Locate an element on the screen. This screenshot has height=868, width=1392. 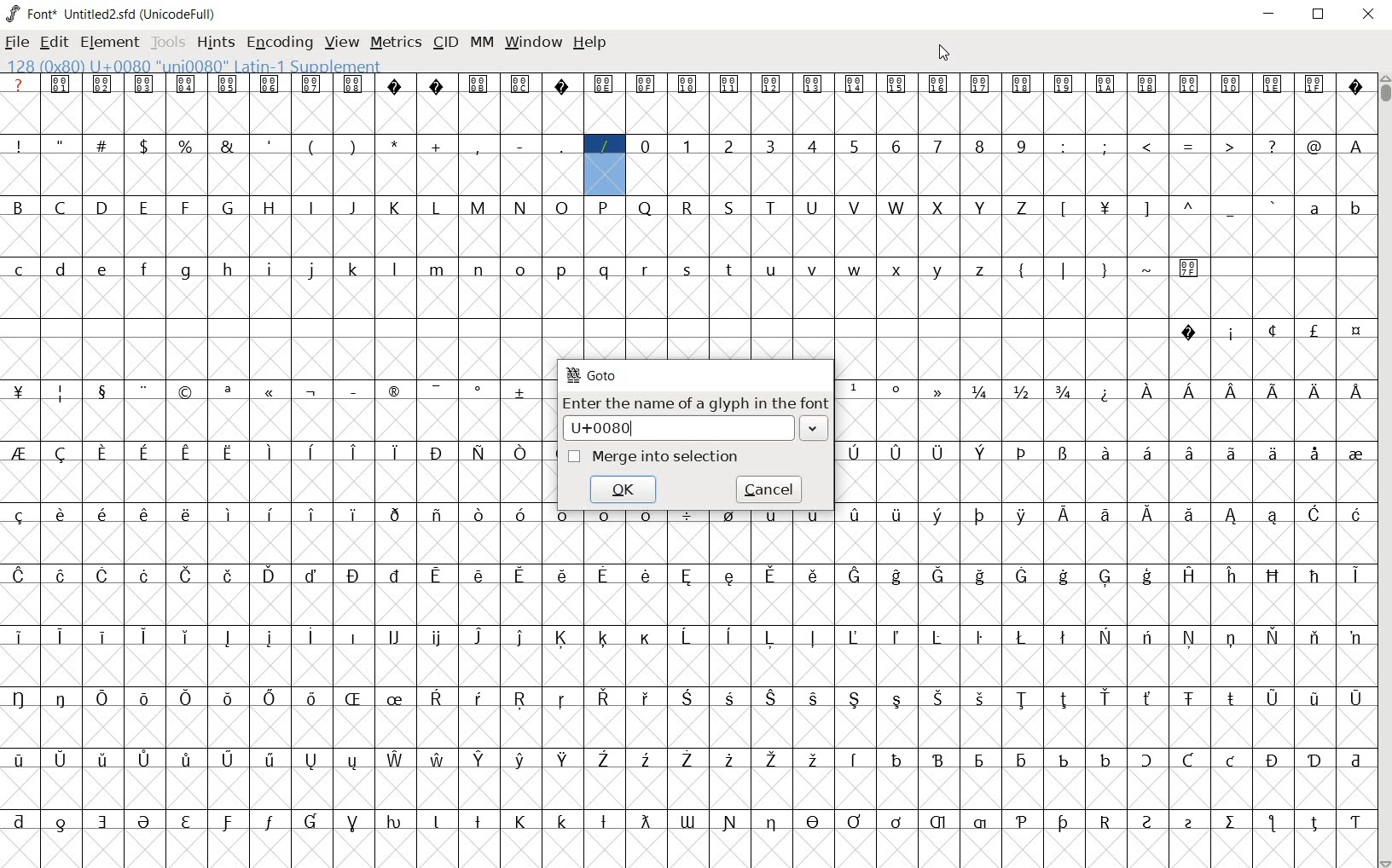
glyph is located at coordinates (645, 84).